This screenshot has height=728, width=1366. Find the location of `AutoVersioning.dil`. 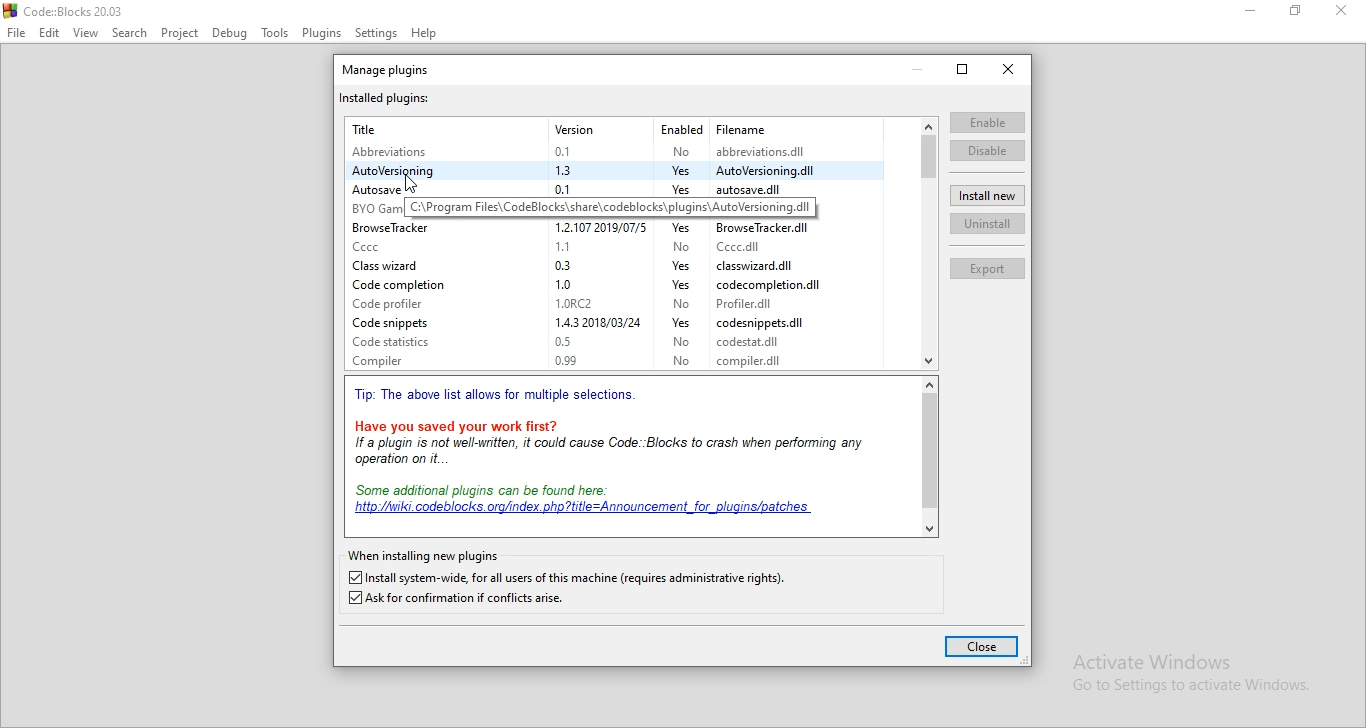

AutoVersioning.dil is located at coordinates (773, 170).